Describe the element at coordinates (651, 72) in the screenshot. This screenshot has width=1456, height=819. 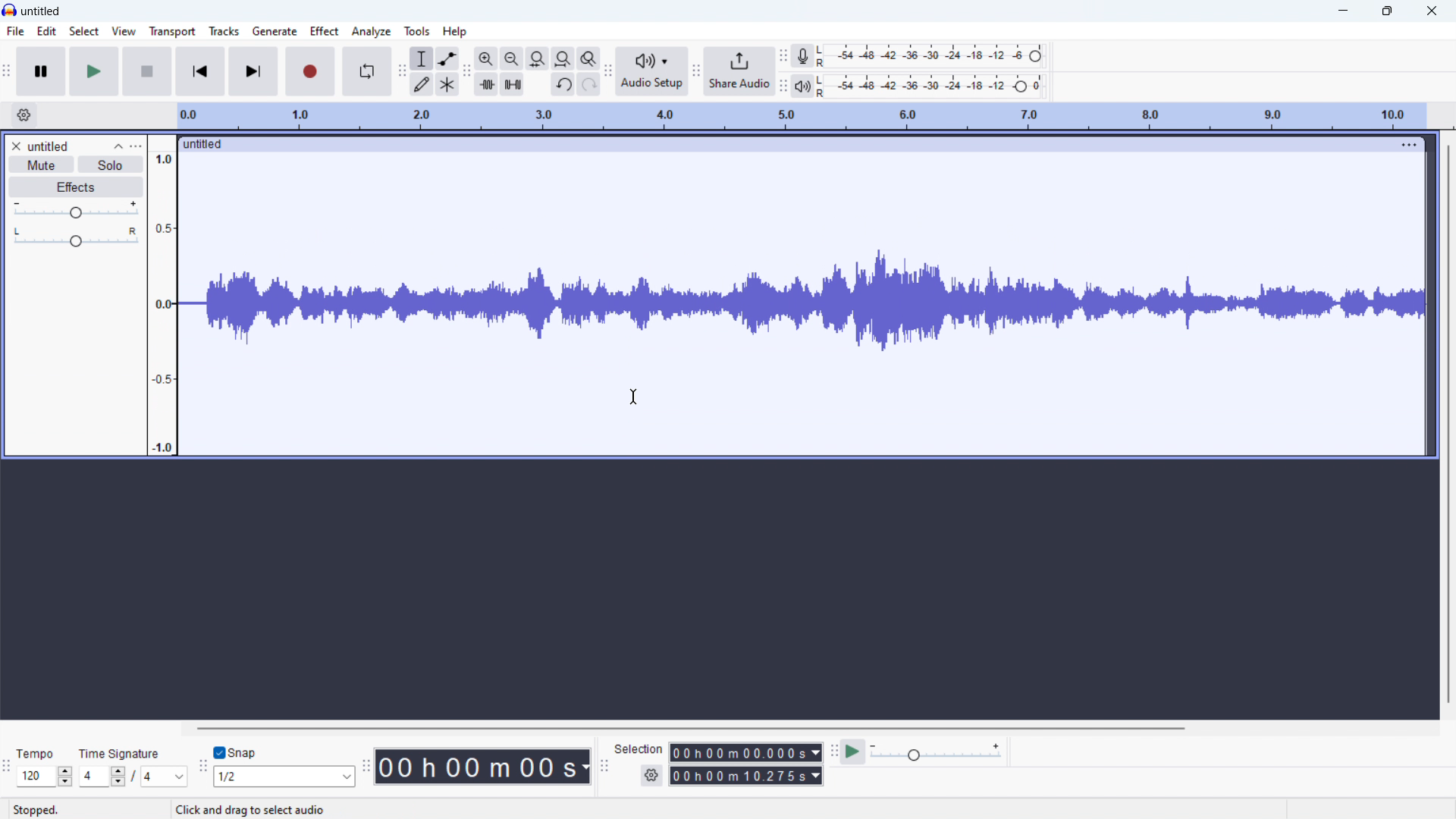
I see `audio setup` at that location.